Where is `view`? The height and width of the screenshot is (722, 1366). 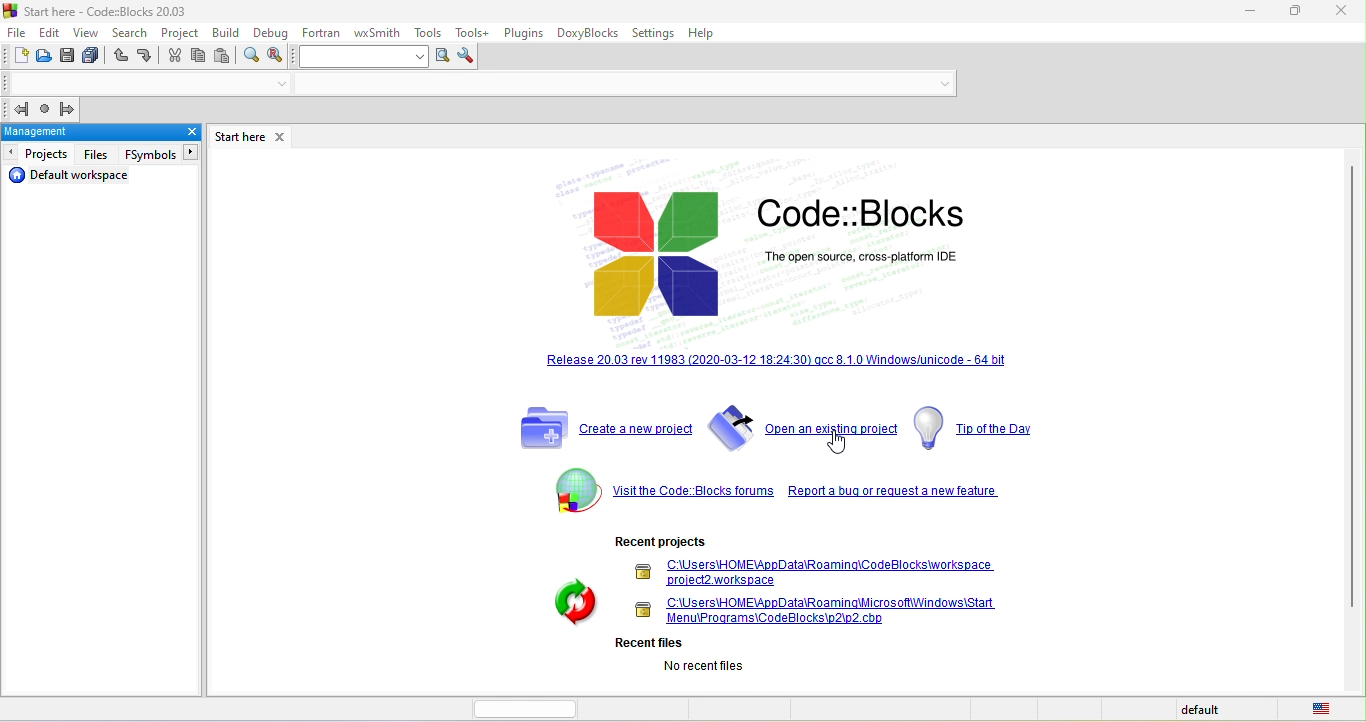 view is located at coordinates (89, 34).